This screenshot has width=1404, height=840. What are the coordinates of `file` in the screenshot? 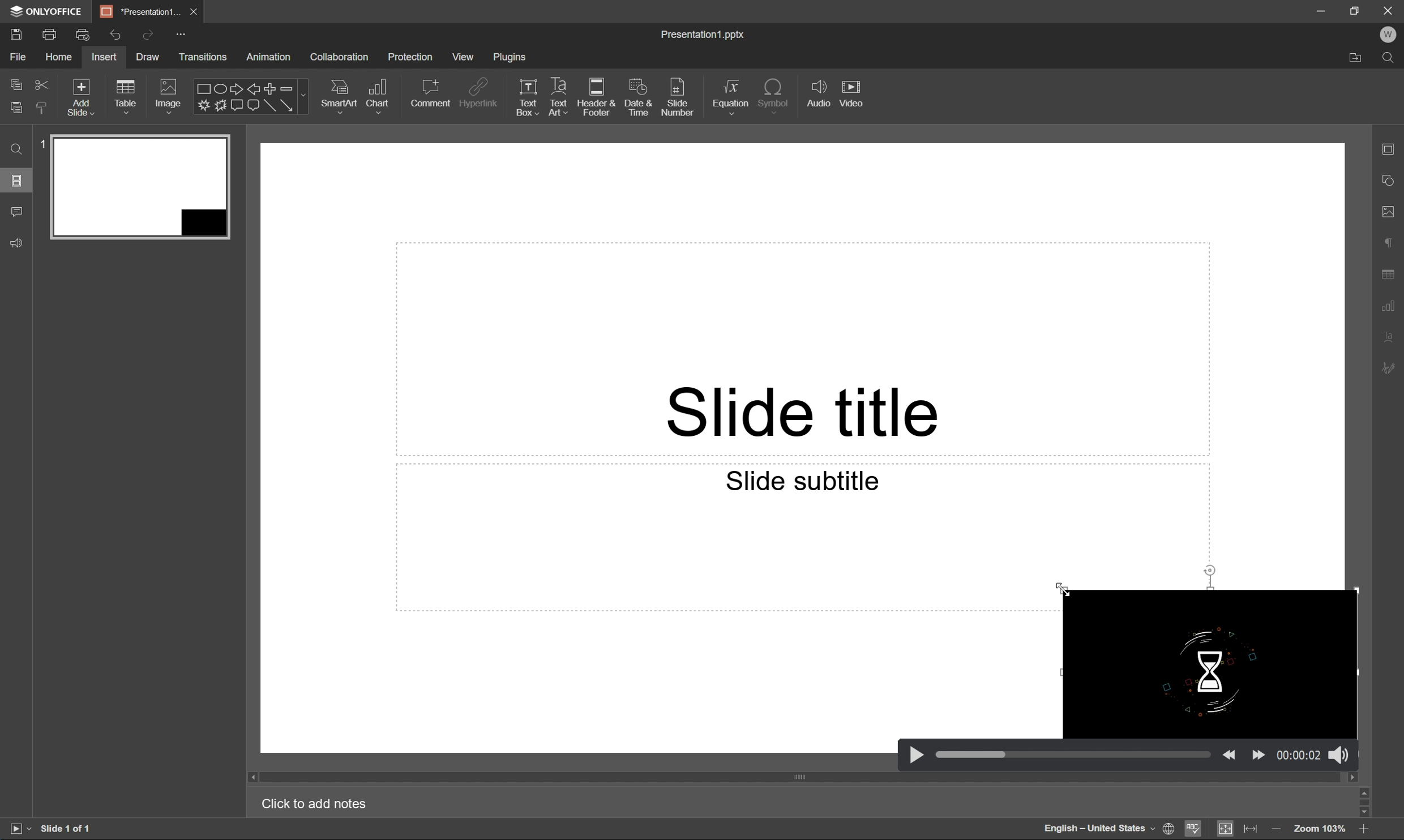 It's located at (16, 55).